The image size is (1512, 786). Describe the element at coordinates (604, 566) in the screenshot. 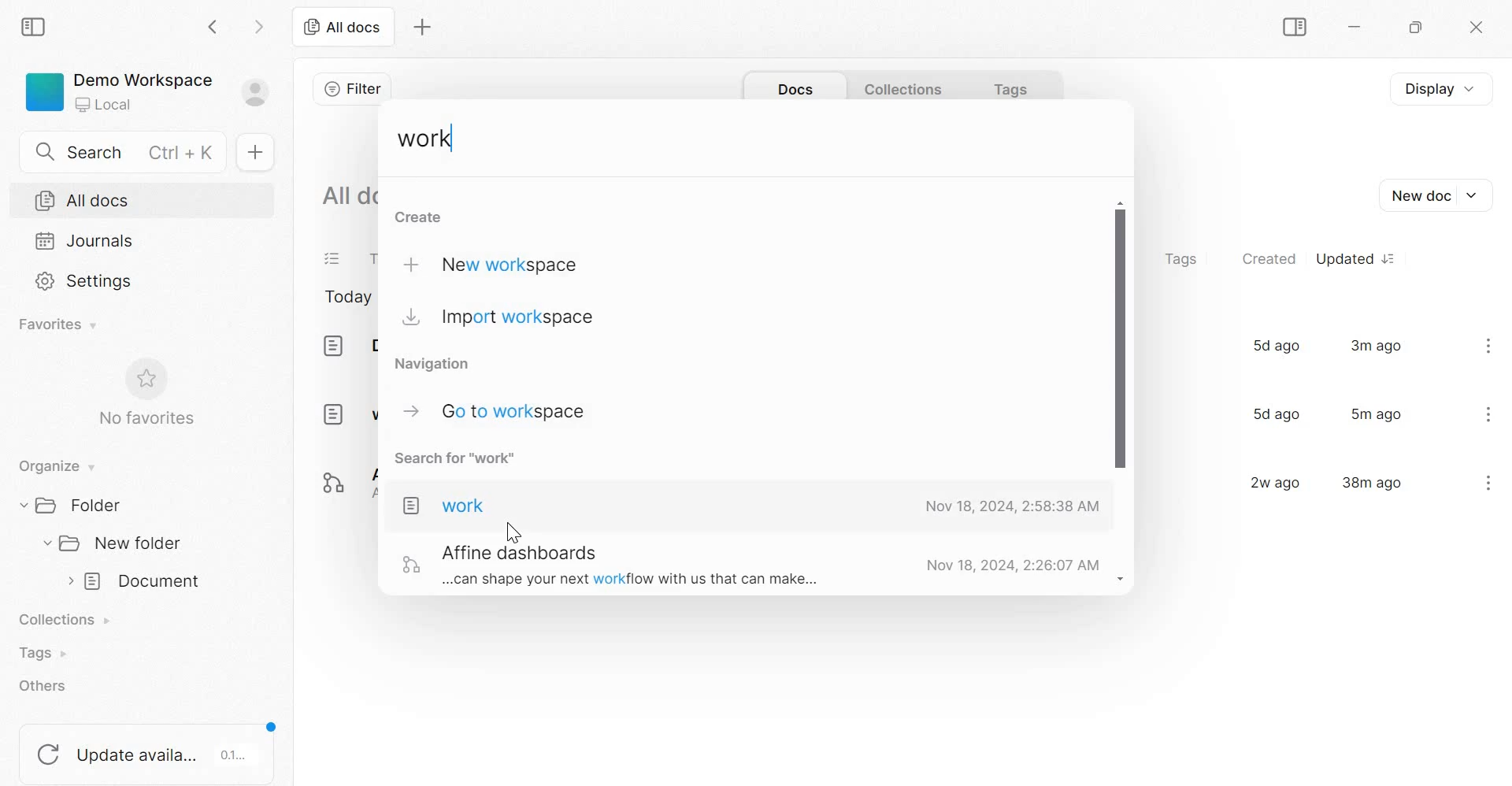

I see `` at that location.